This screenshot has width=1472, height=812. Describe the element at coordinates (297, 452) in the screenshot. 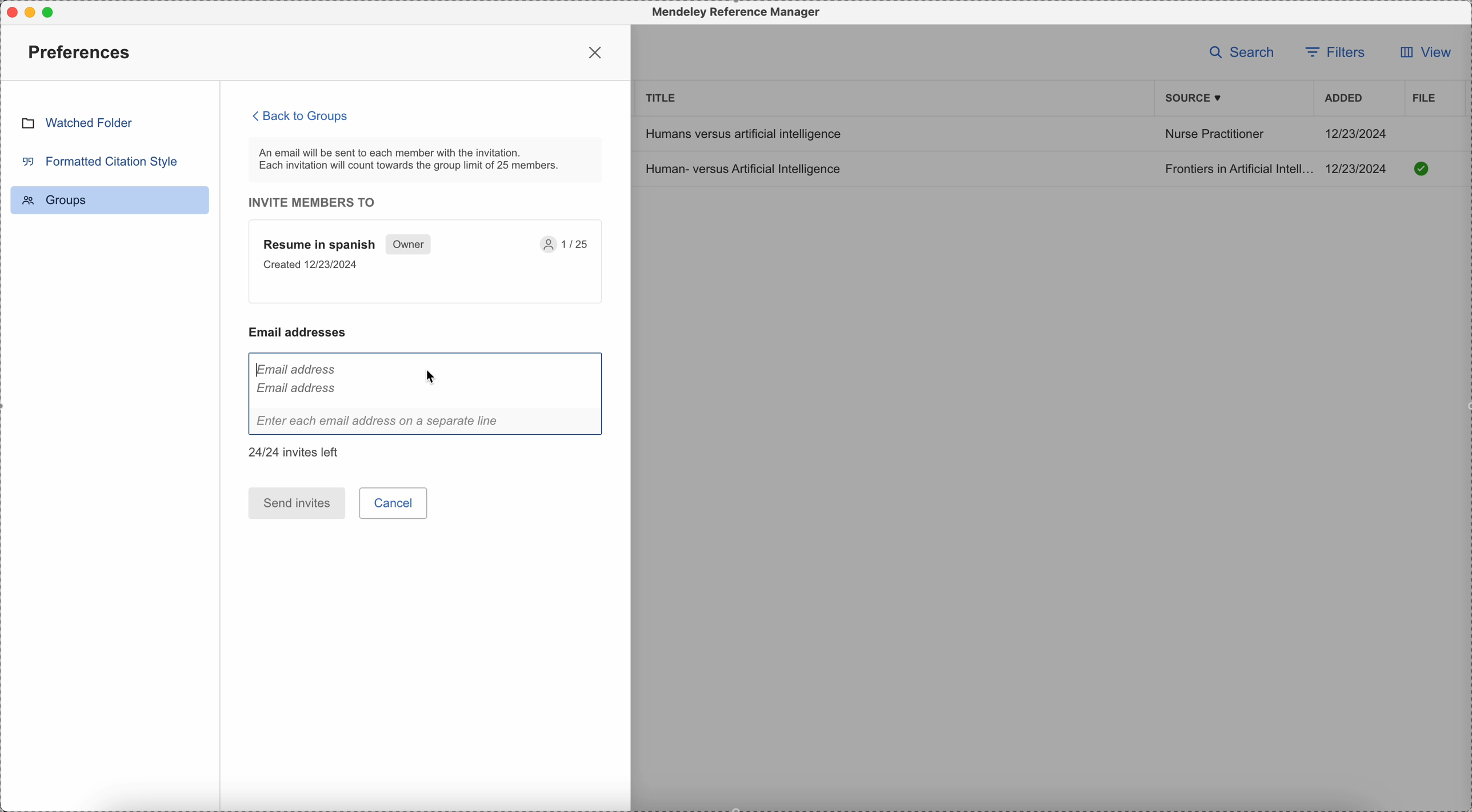

I see `24/24 invites left` at that location.